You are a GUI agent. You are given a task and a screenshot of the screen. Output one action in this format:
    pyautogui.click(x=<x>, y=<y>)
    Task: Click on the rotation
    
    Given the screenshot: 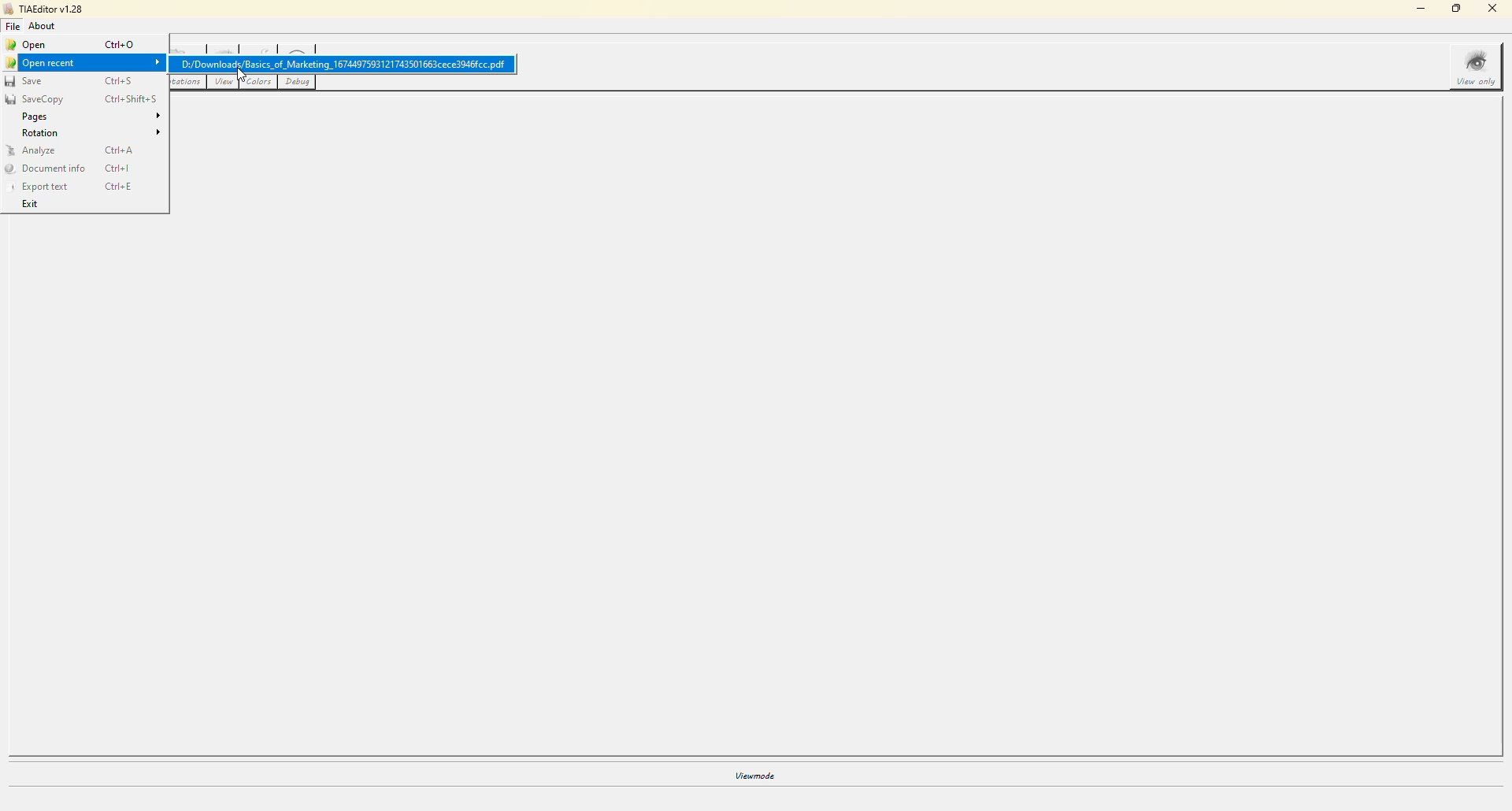 What is the action you would take?
    pyautogui.click(x=41, y=134)
    